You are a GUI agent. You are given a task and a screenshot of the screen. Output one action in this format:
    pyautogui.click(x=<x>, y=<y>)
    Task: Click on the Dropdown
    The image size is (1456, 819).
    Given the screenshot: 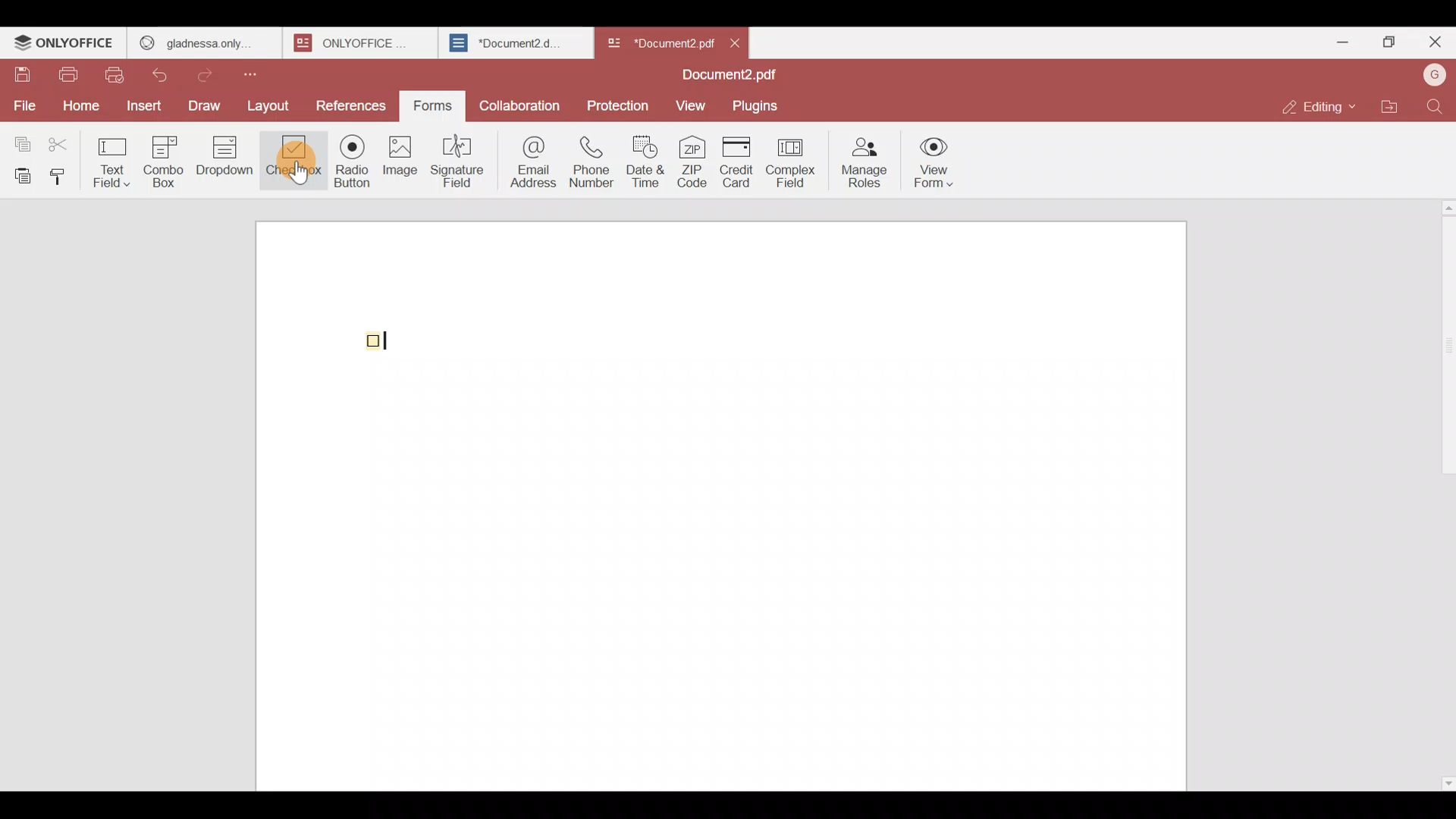 What is the action you would take?
    pyautogui.click(x=227, y=162)
    